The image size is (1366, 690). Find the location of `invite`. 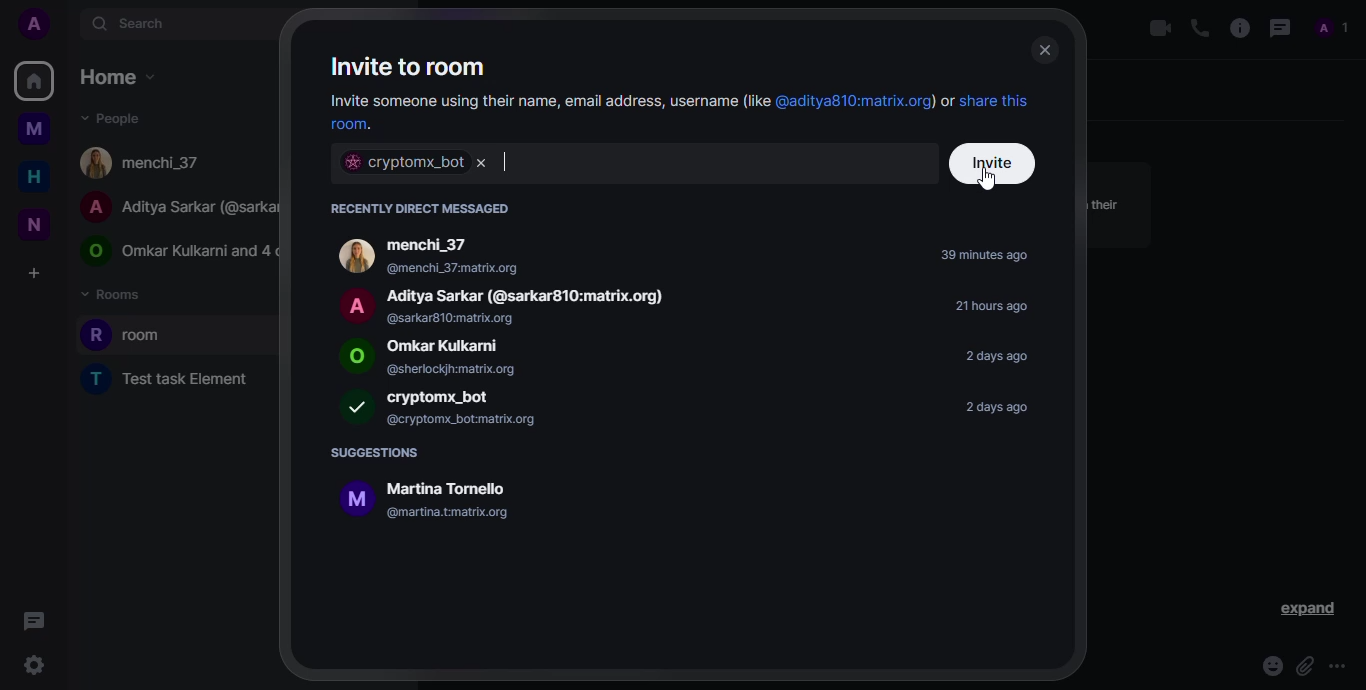

invite is located at coordinates (1000, 163).